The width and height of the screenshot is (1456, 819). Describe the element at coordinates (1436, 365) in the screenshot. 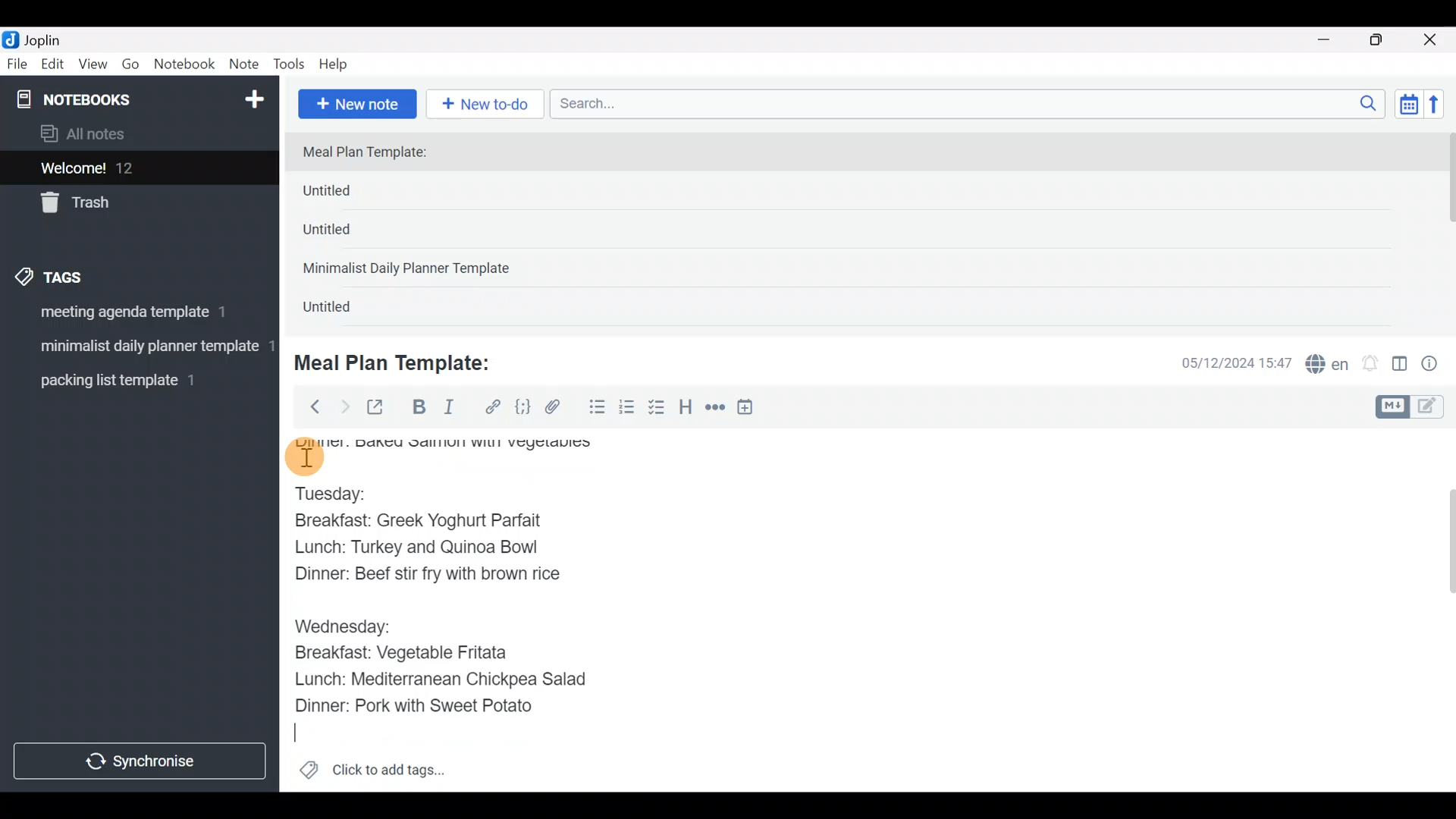

I see `Note properties` at that location.